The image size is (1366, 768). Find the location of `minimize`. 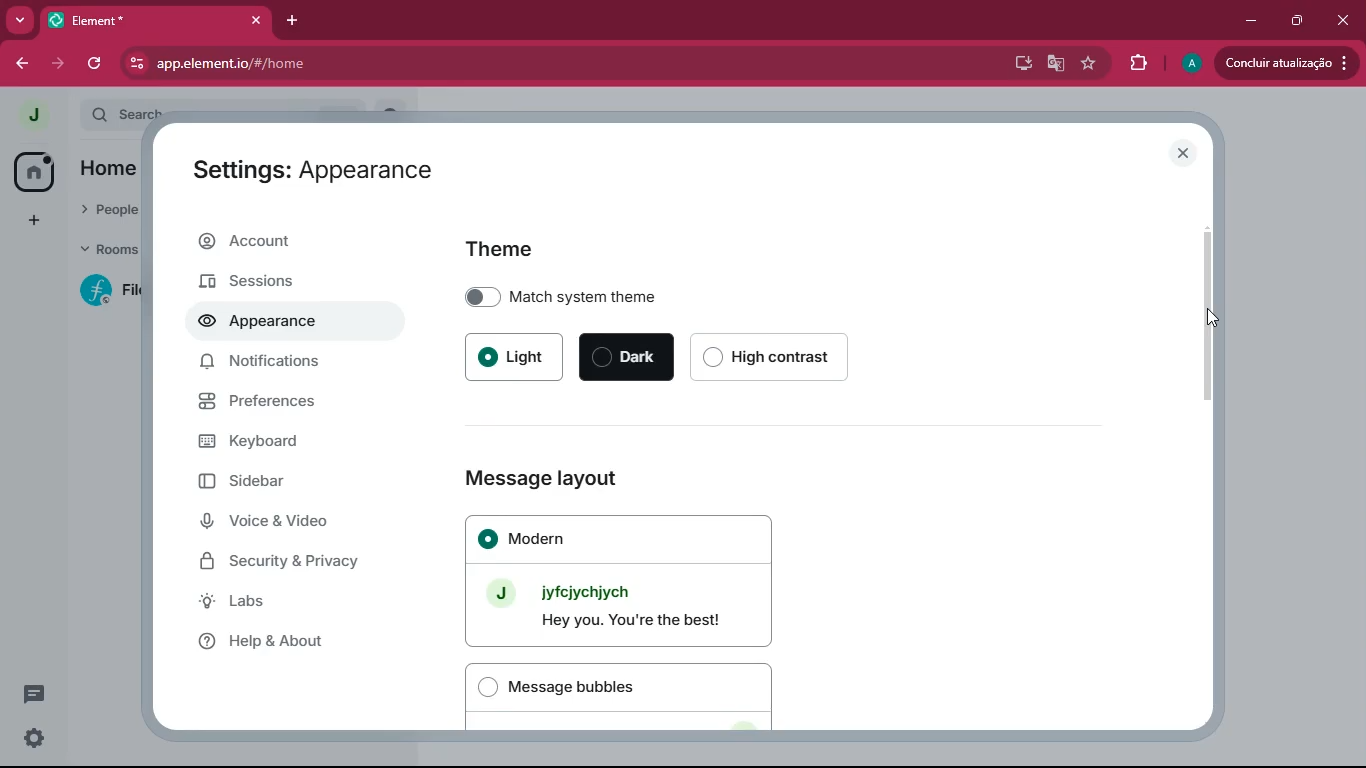

minimize is located at coordinates (1247, 22).